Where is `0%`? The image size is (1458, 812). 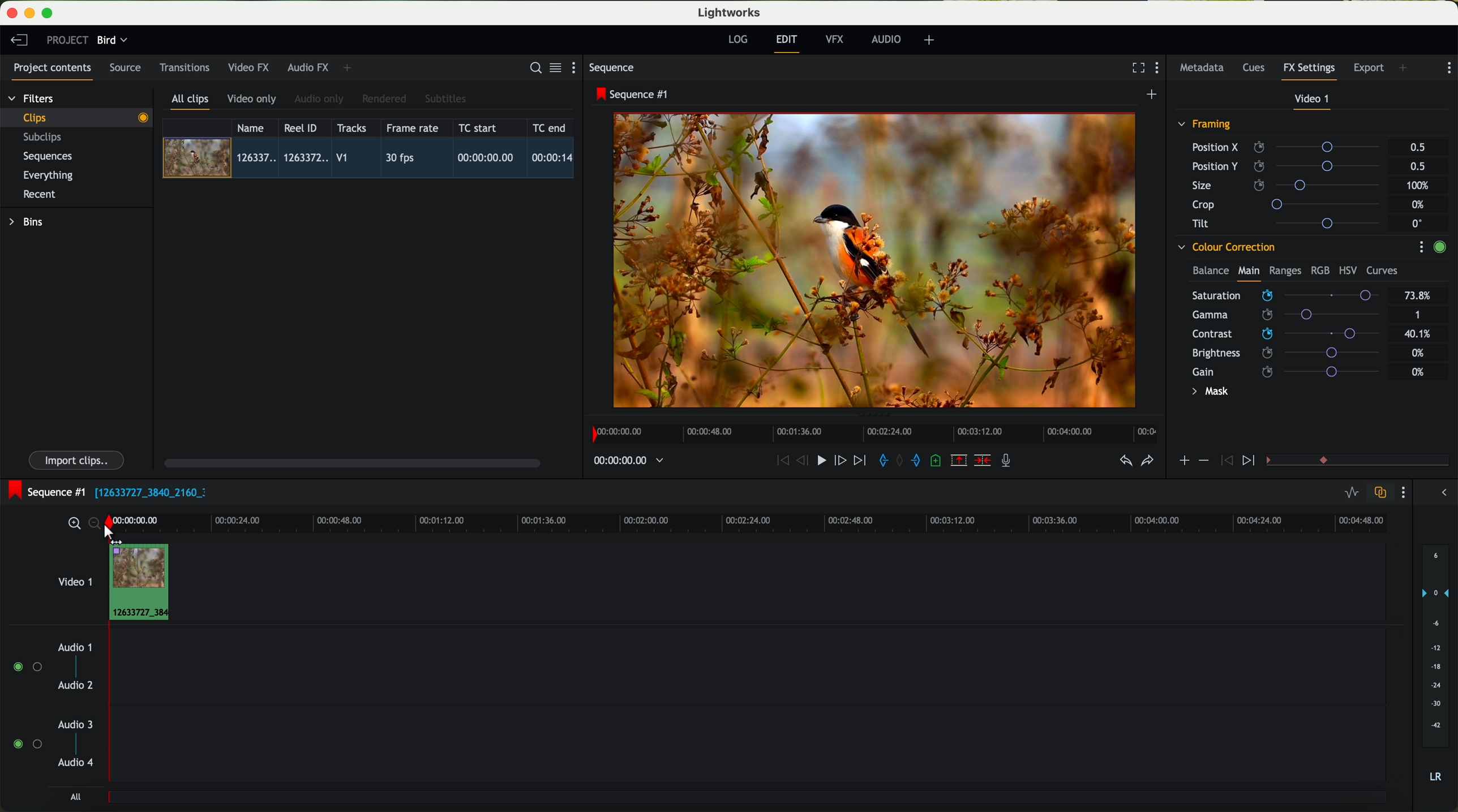
0% is located at coordinates (1418, 372).